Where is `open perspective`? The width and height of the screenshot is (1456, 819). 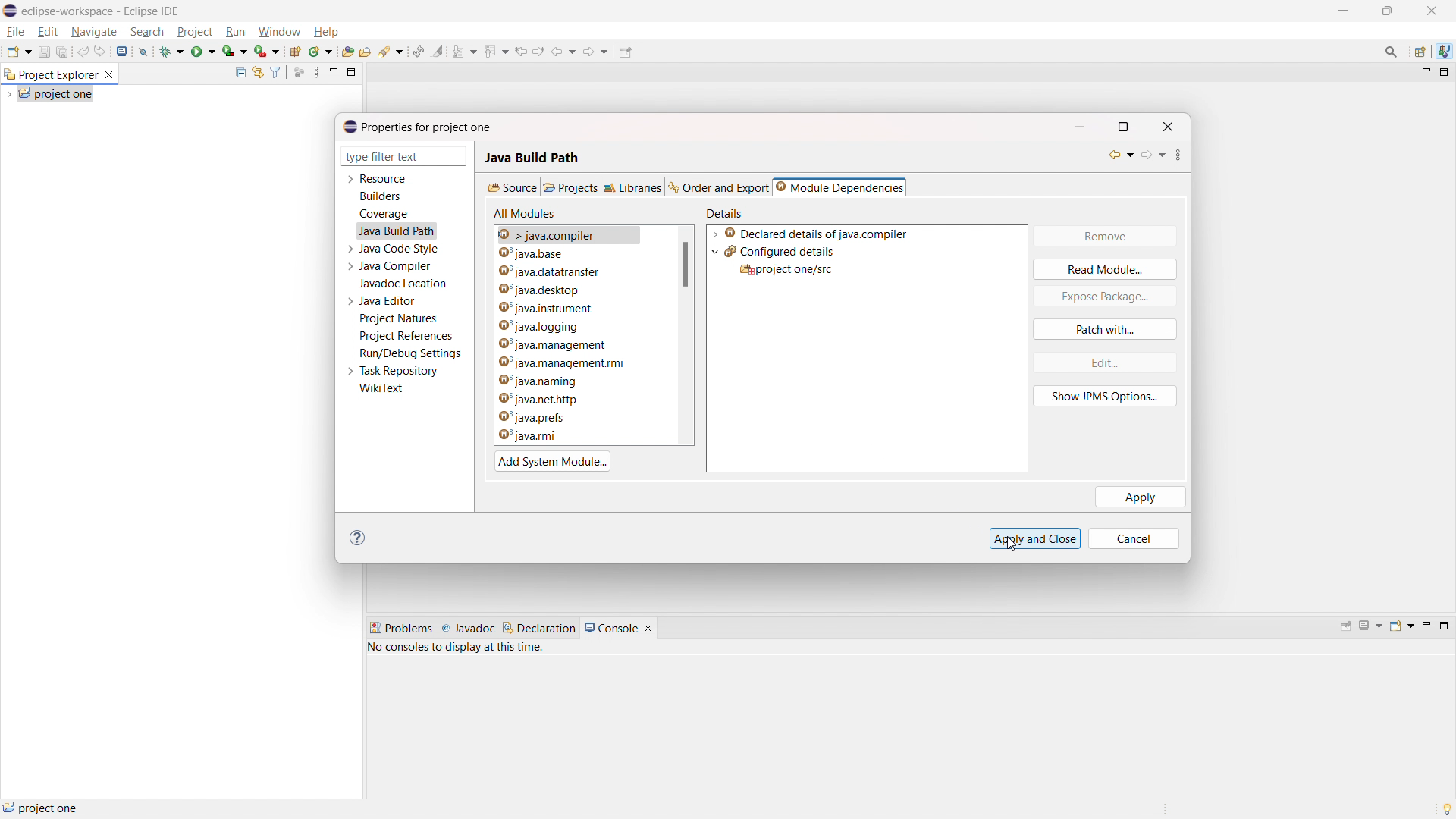 open perspective is located at coordinates (1421, 52).